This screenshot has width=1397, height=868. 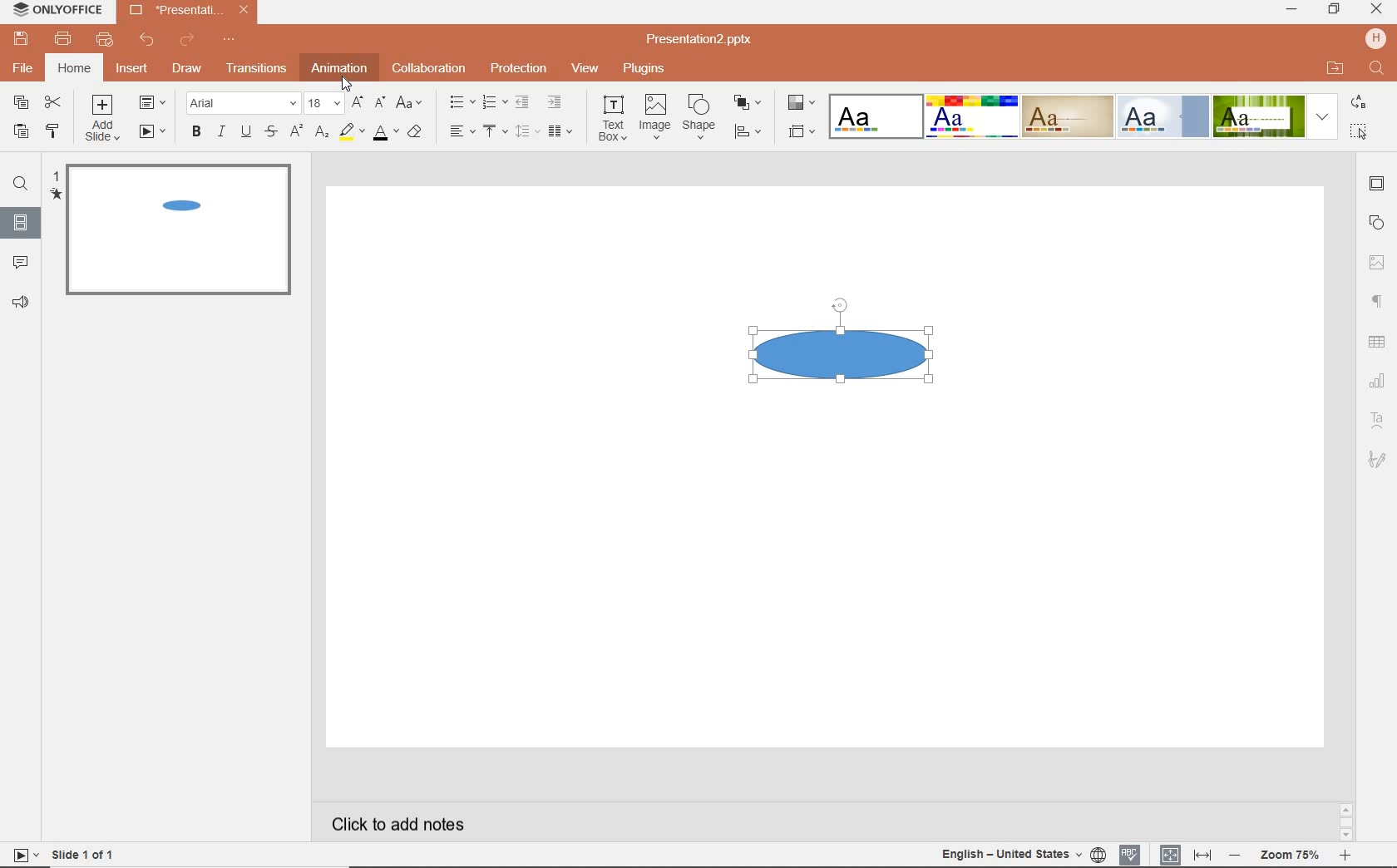 I want to click on Blank, so click(x=875, y=118).